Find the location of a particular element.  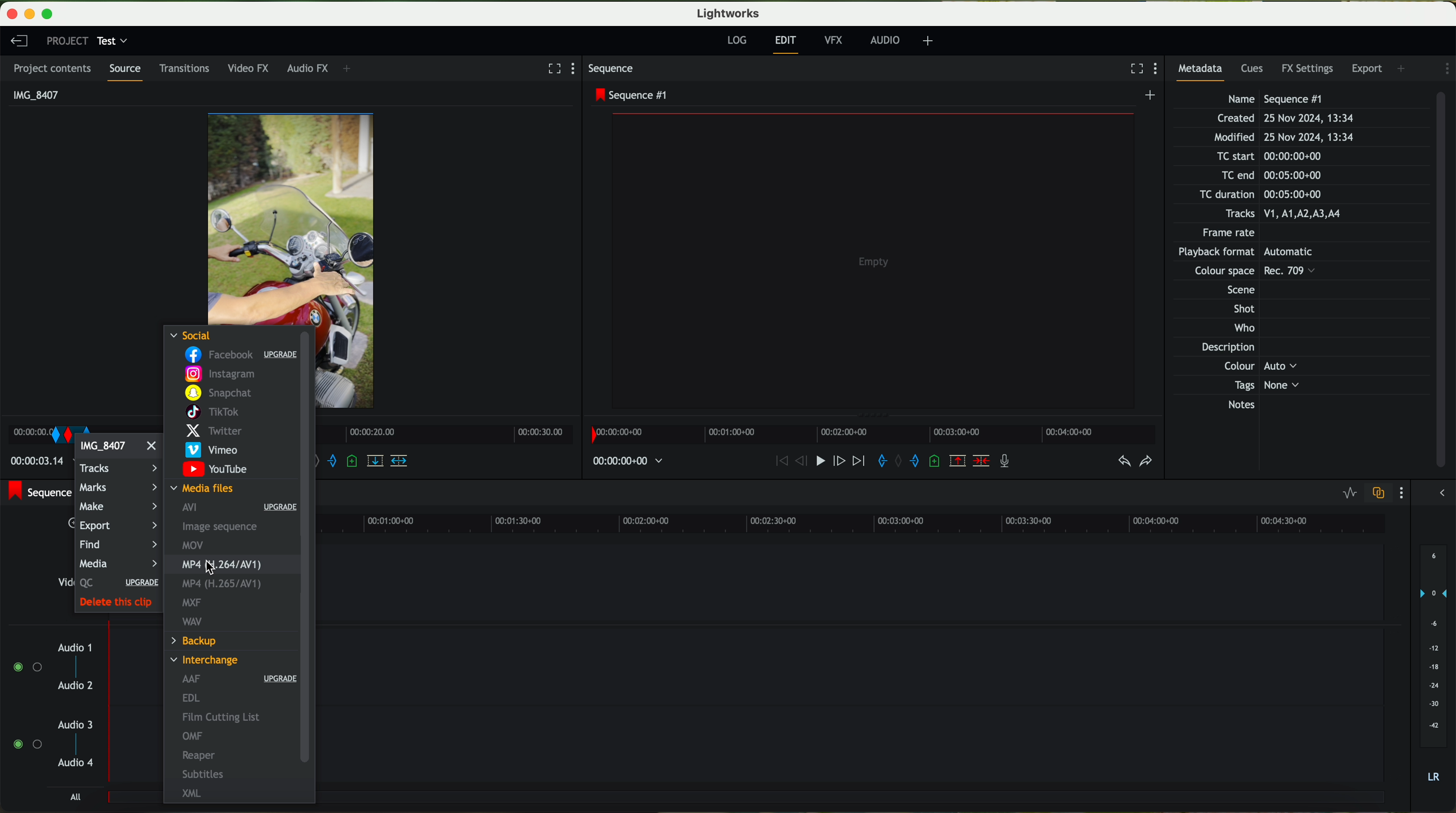

show/hide the full audio mix menu is located at coordinates (1442, 491).